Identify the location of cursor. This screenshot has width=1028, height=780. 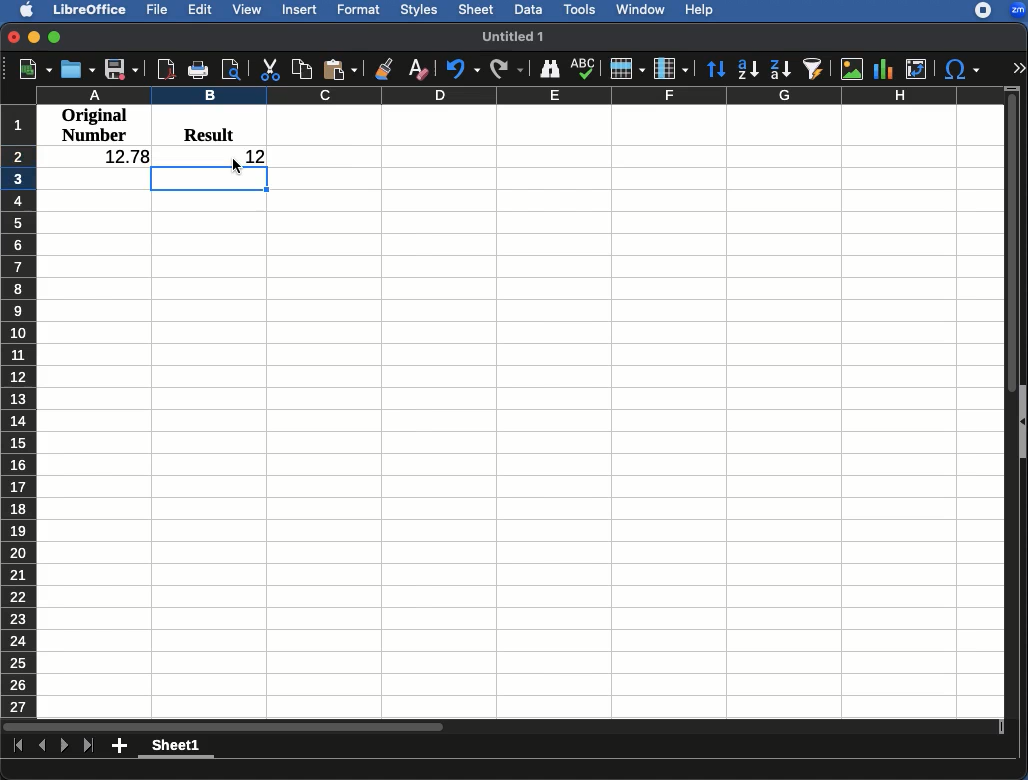
(237, 166).